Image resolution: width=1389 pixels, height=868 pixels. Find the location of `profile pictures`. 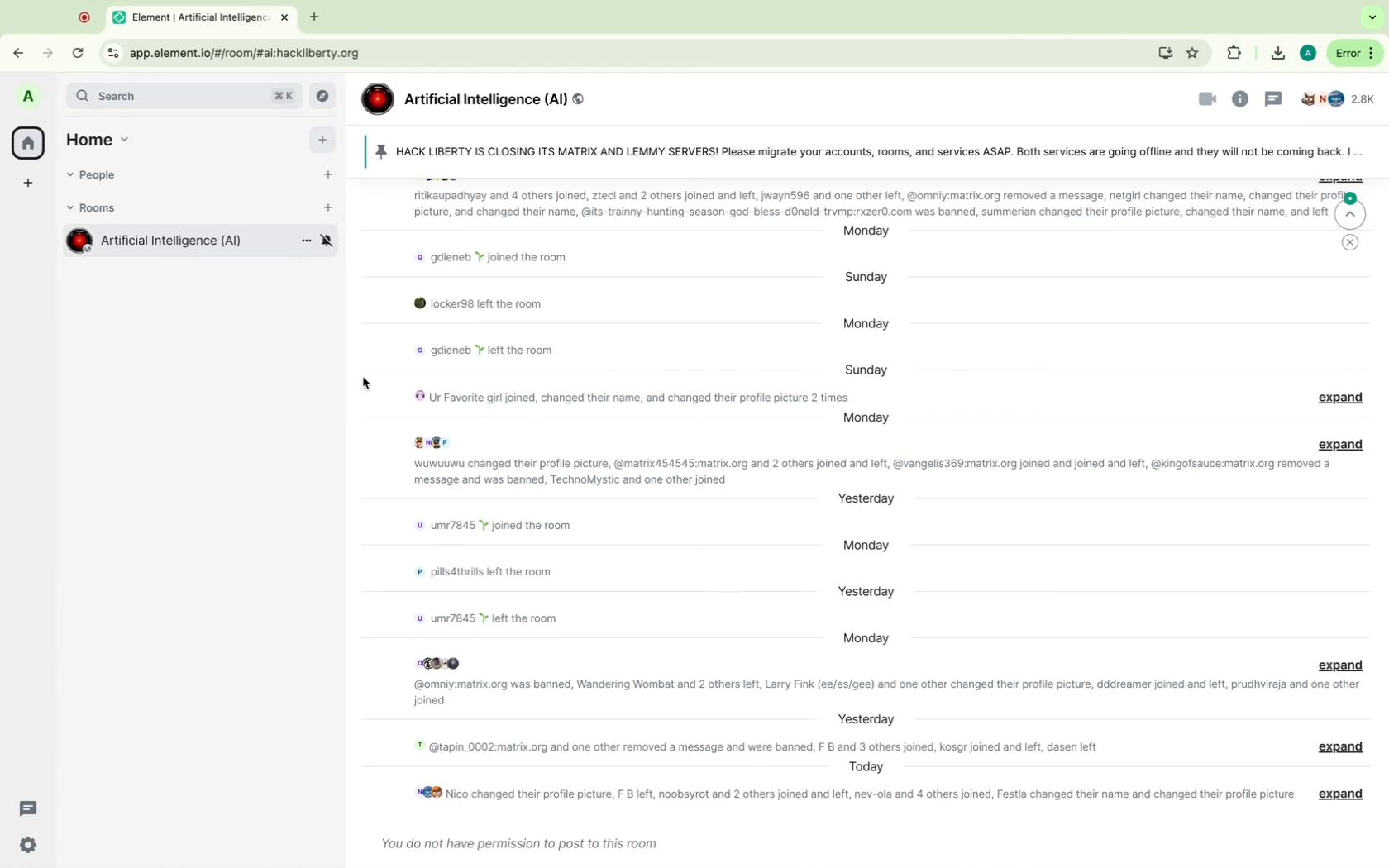

profile pictures is located at coordinates (438, 441).